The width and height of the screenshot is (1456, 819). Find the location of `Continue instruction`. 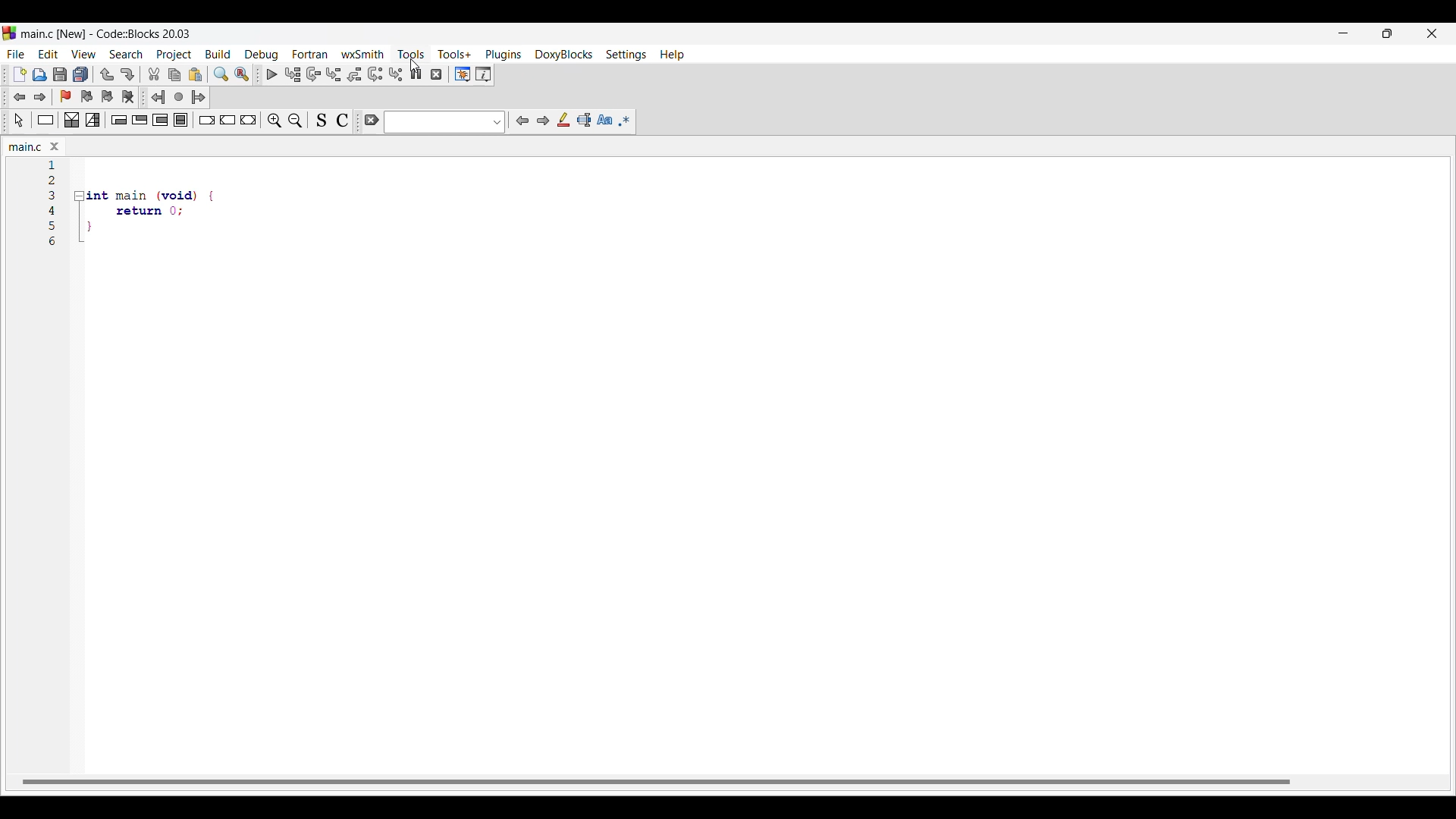

Continue instruction is located at coordinates (228, 120).